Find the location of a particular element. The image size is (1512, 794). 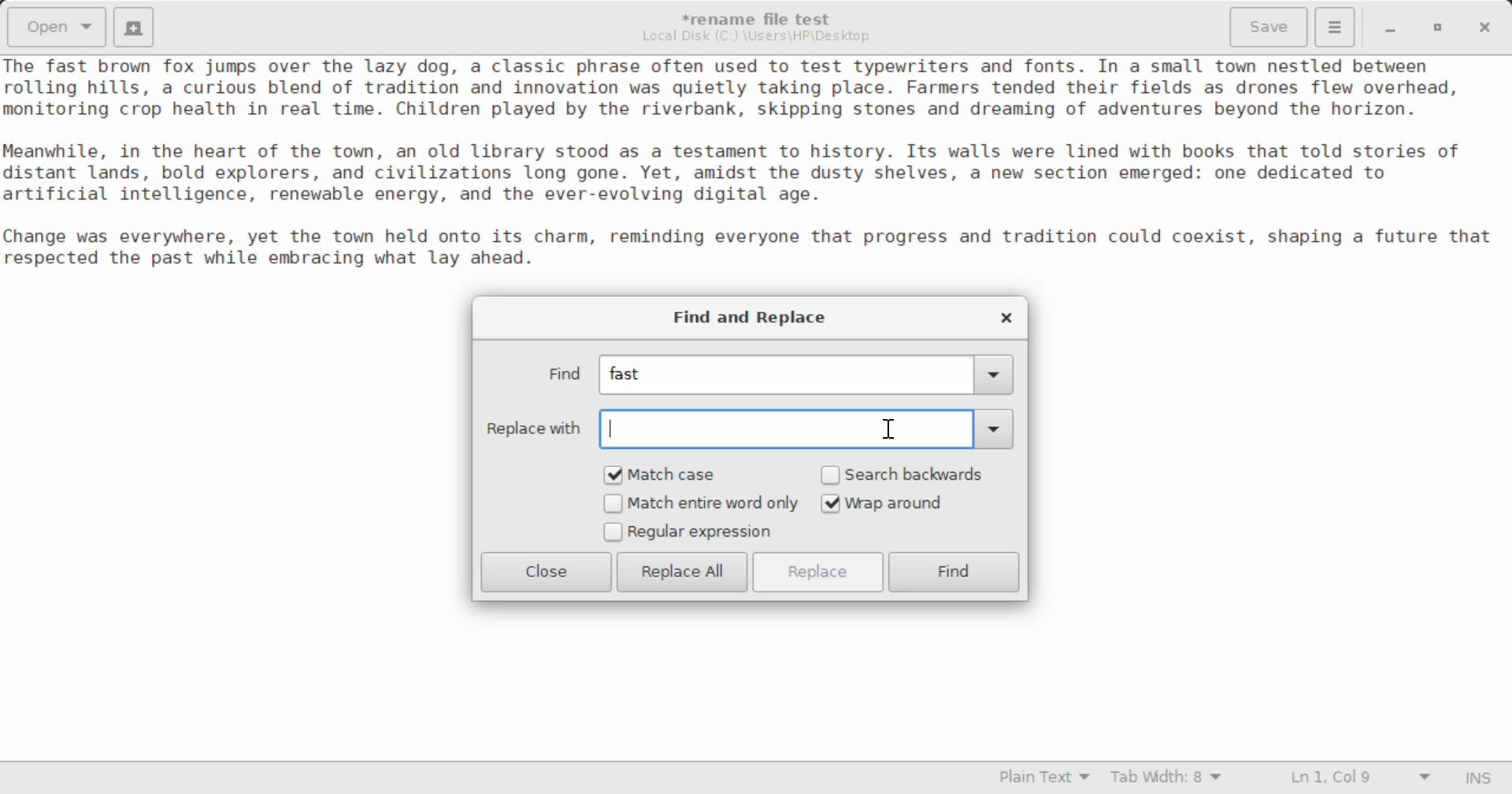

Find: fast is located at coordinates (772, 376).